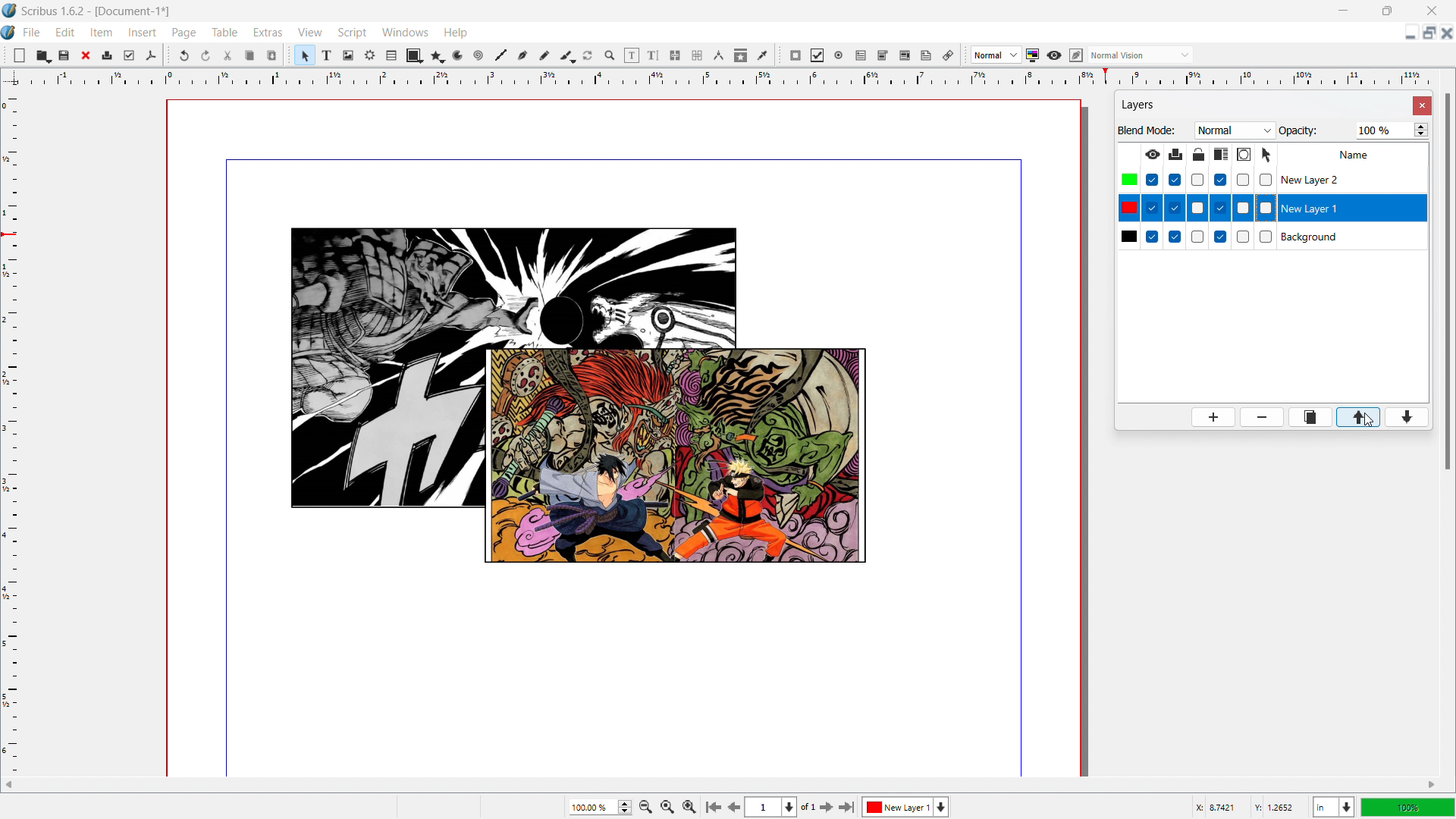  What do you see at coordinates (370, 55) in the screenshot?
I see `render frame` at bounding box center [370, 55].